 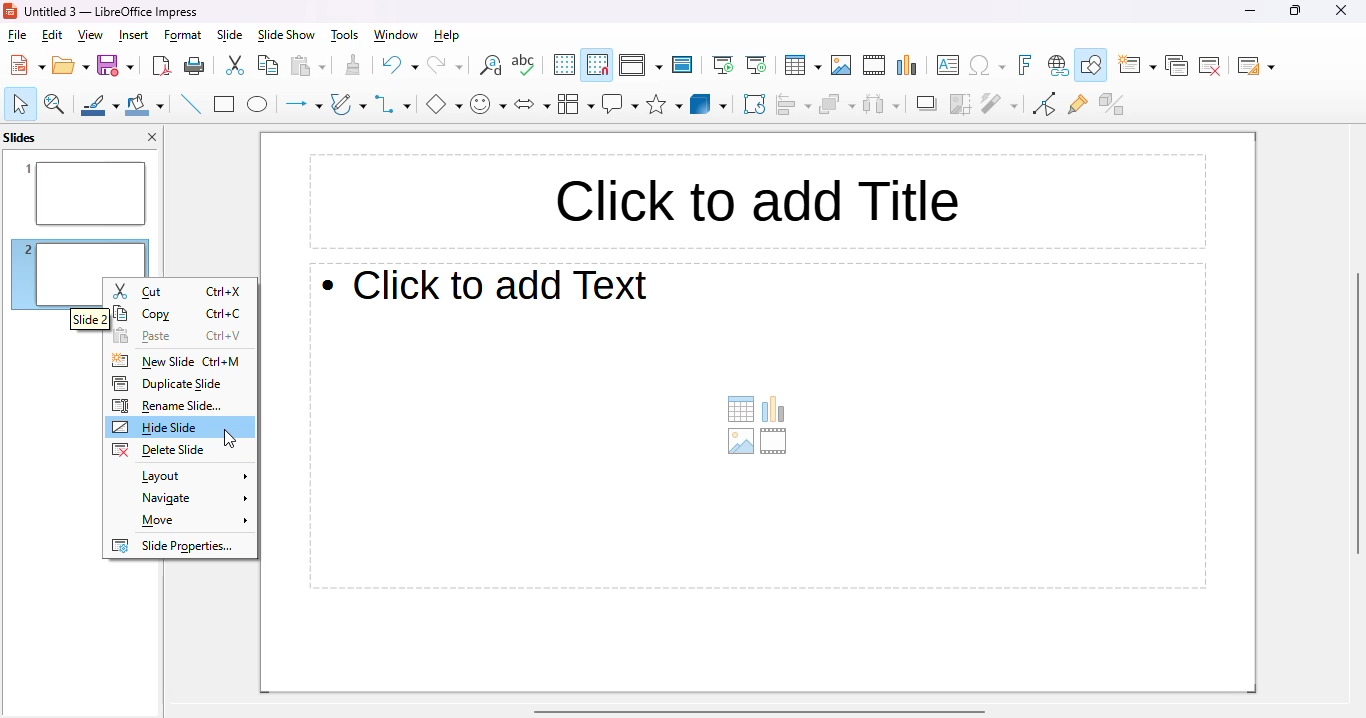 I want to click on ellipse, so click(x=258, y=105).